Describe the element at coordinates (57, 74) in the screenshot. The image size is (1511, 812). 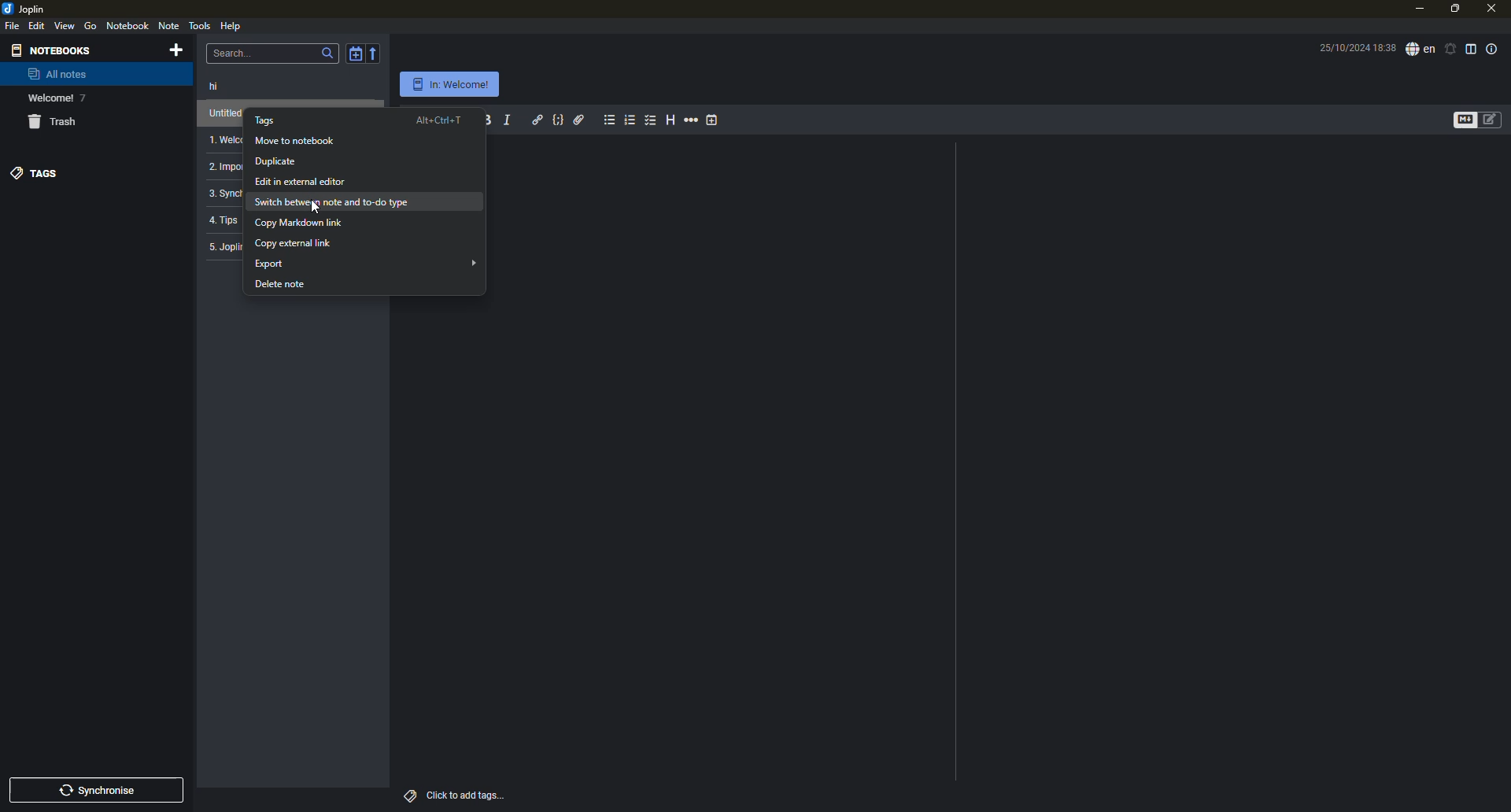
I see `all notes` at that location.